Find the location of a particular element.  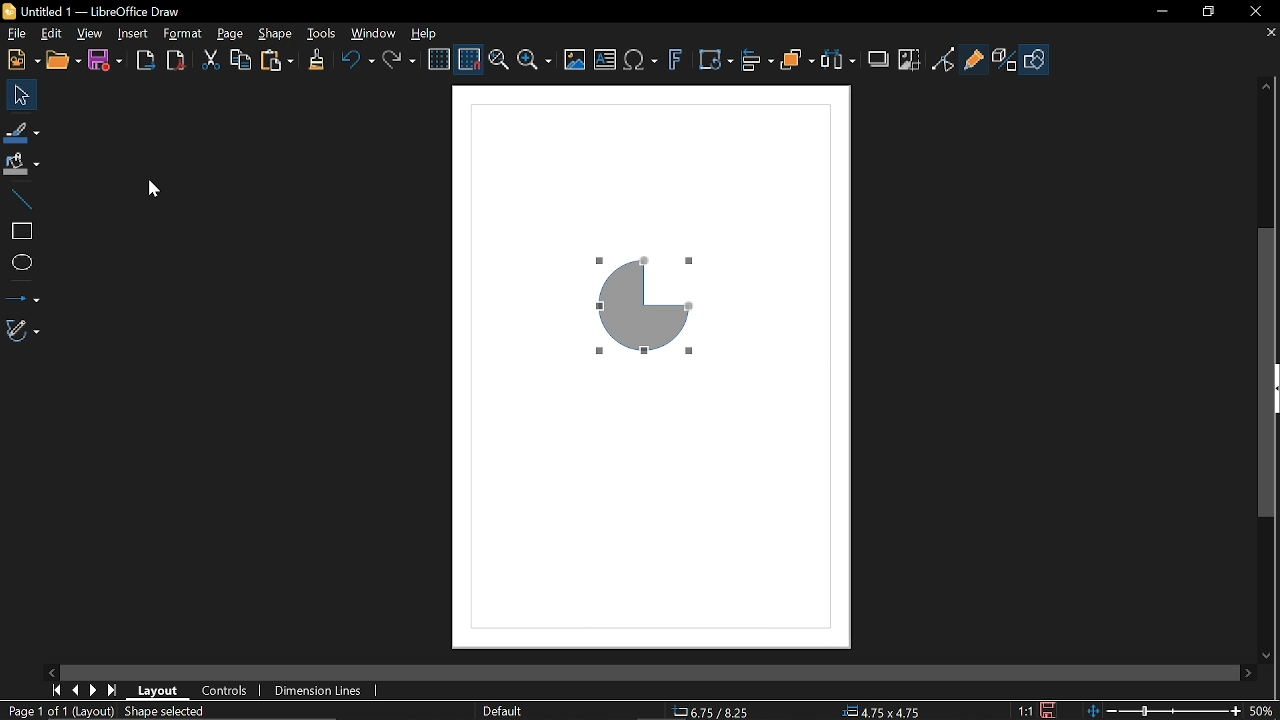

1:1 (Scaling factor of the document) is located at coordinates (1038, 710).